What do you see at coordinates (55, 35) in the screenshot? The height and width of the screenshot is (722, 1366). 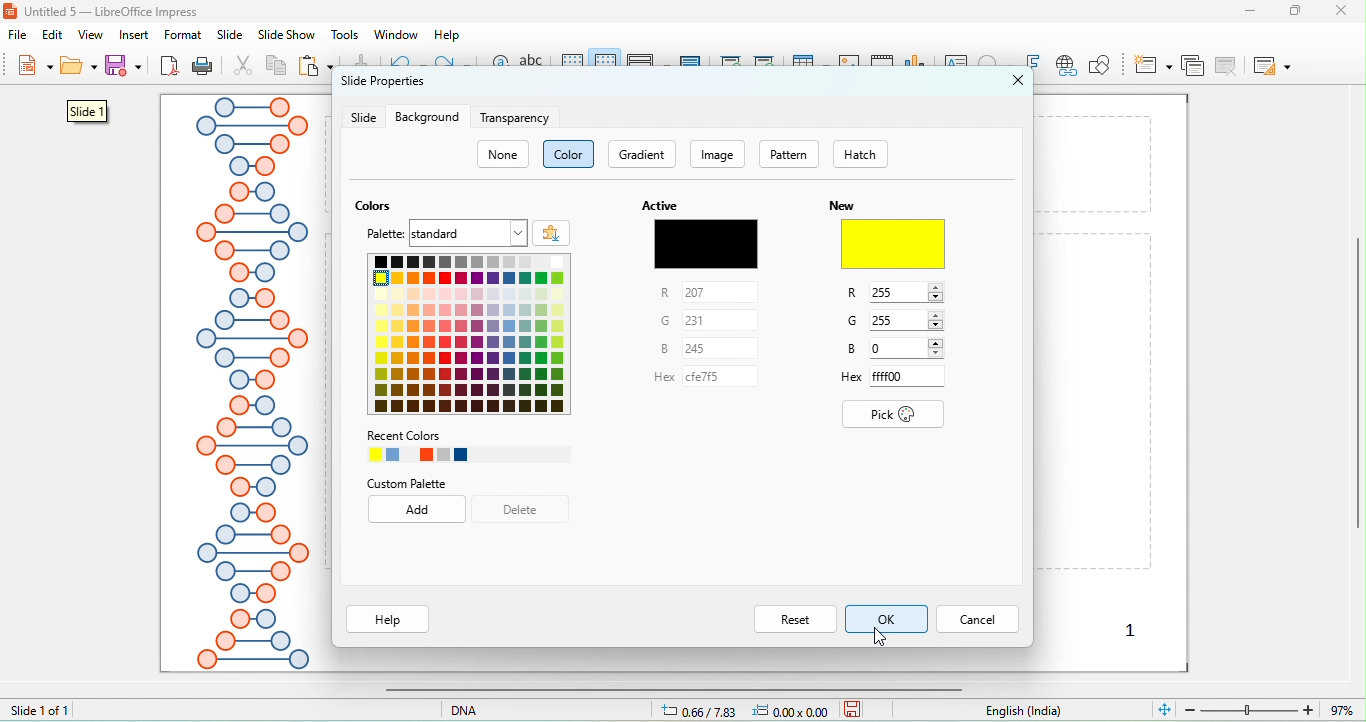 I see `edit` at bounding box center [55, 35].